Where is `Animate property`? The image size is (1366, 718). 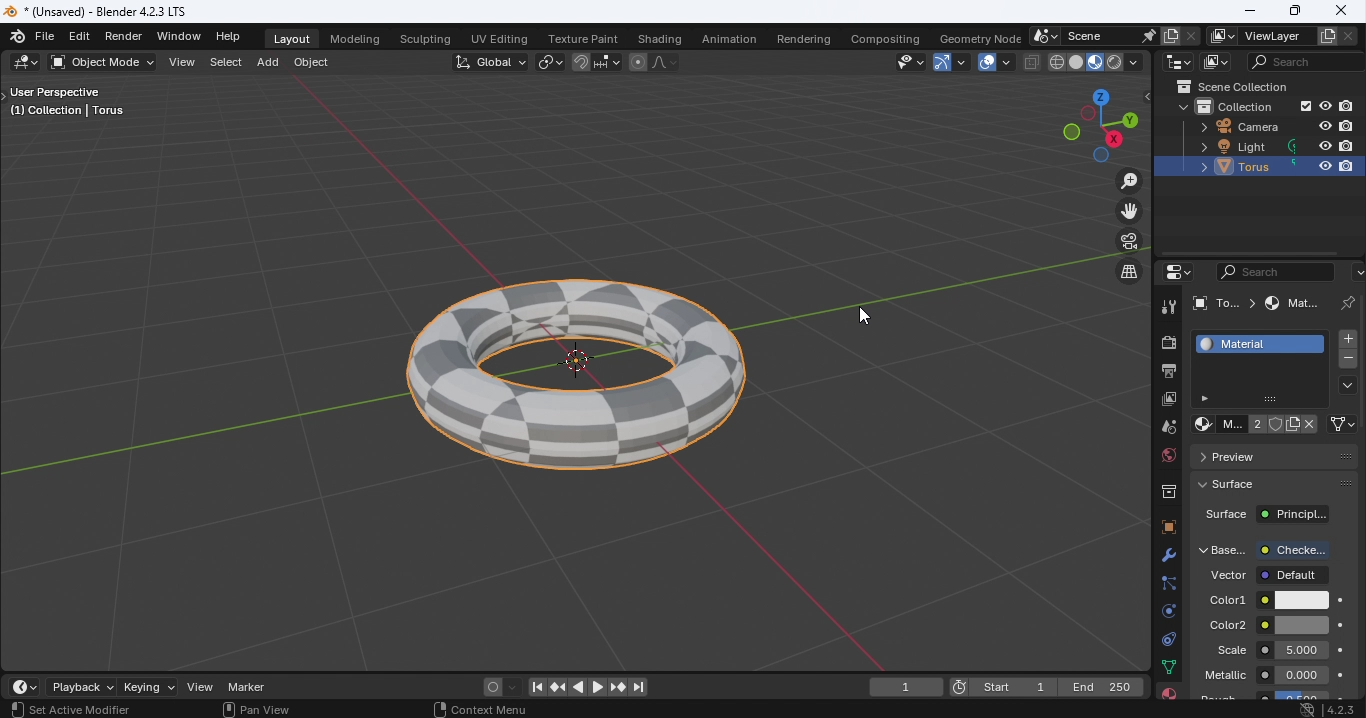 Animate property is located at coordinates (1339, 649).